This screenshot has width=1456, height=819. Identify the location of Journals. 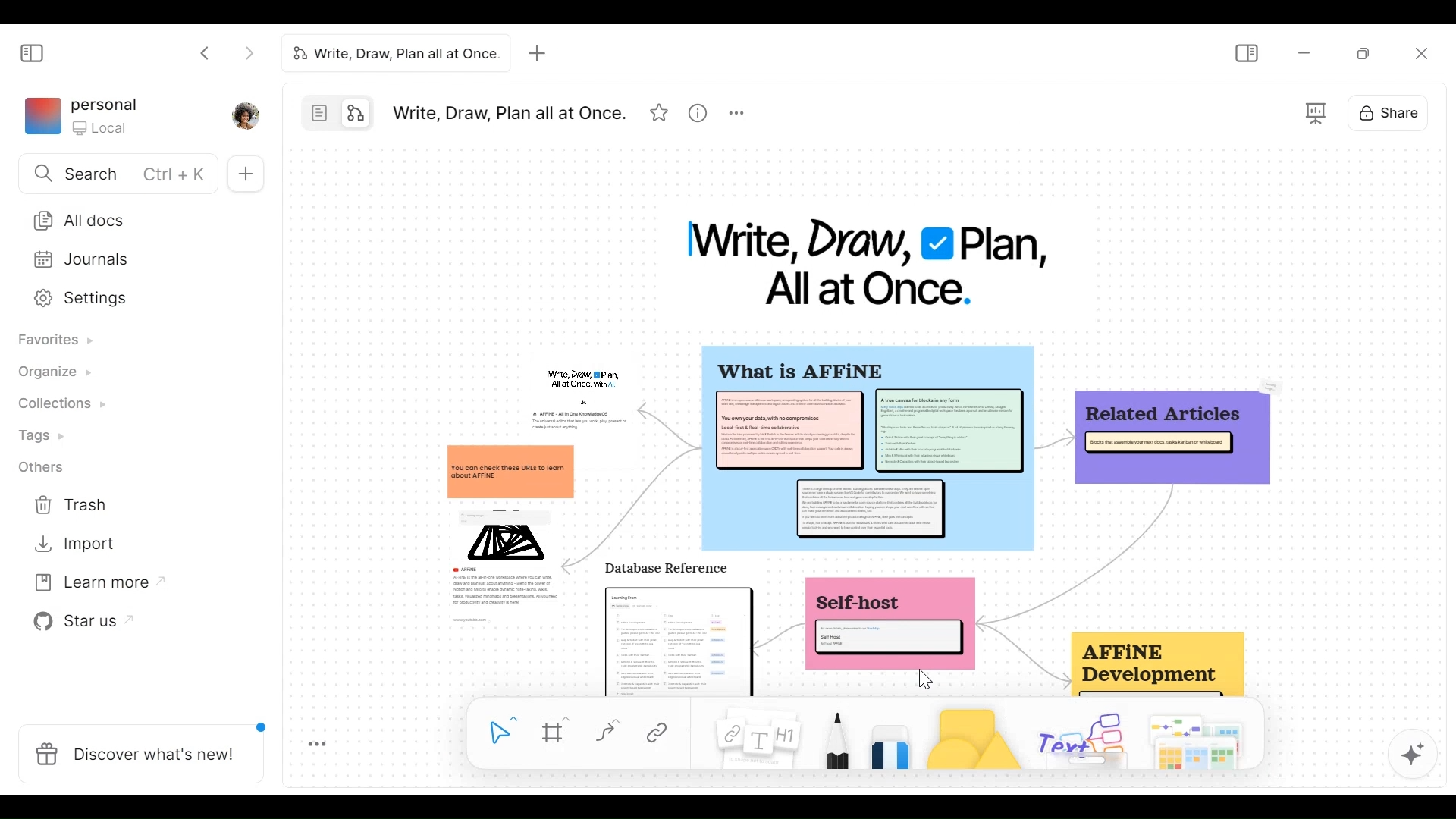
(128, 259).